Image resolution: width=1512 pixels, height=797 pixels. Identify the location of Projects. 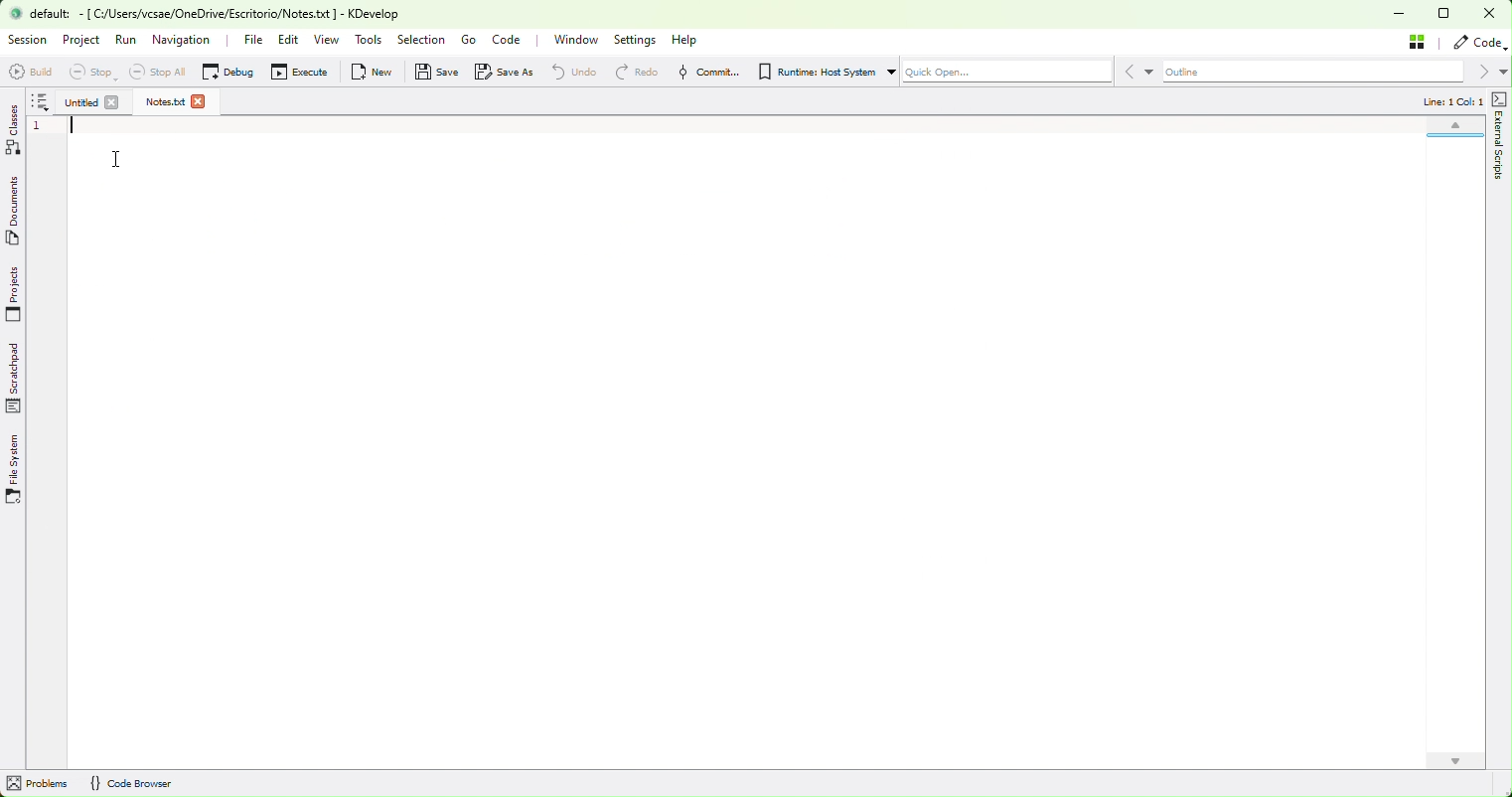
(16, 293).